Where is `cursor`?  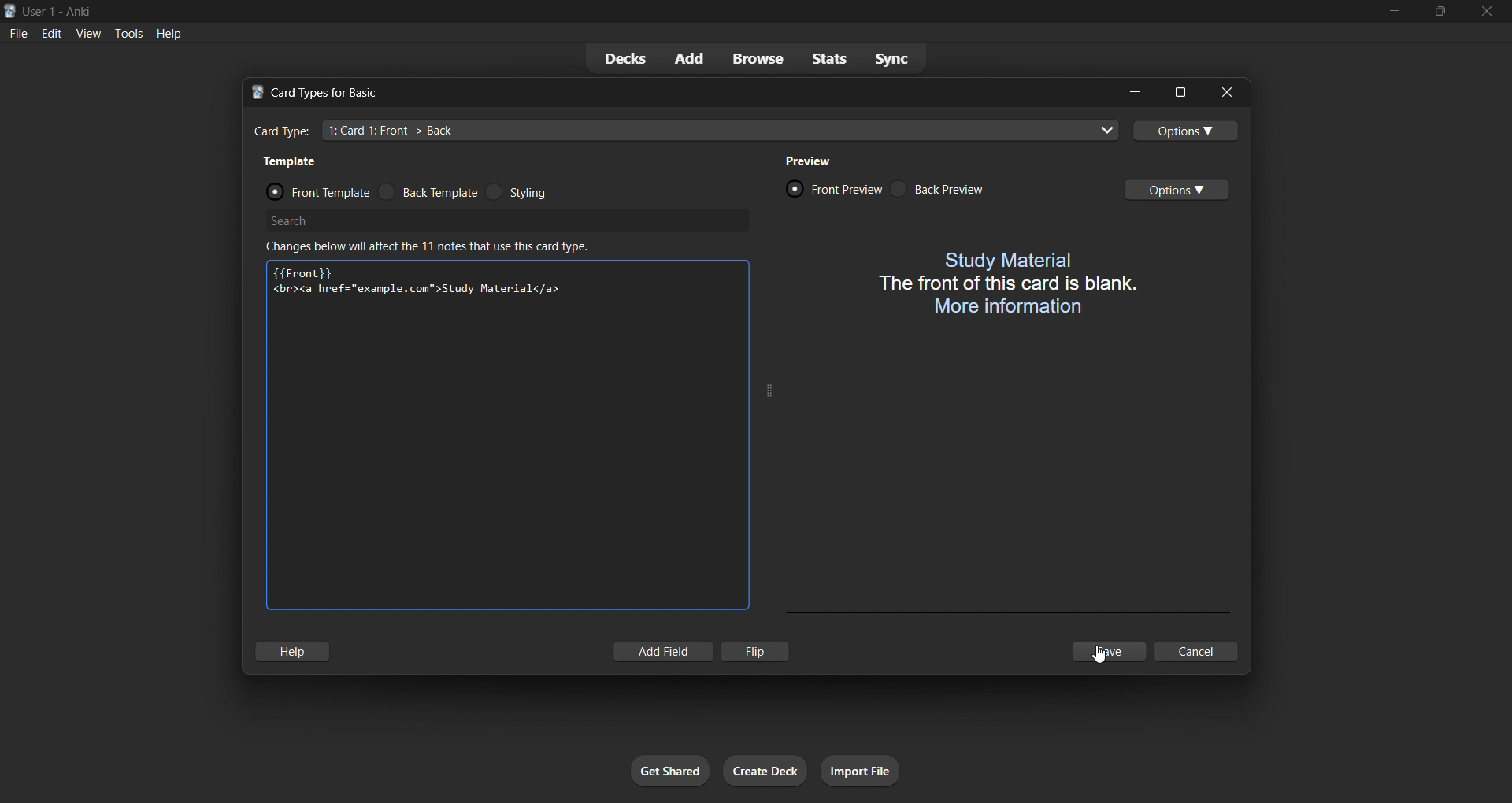
cursor is located at coordinates (1101, 654).